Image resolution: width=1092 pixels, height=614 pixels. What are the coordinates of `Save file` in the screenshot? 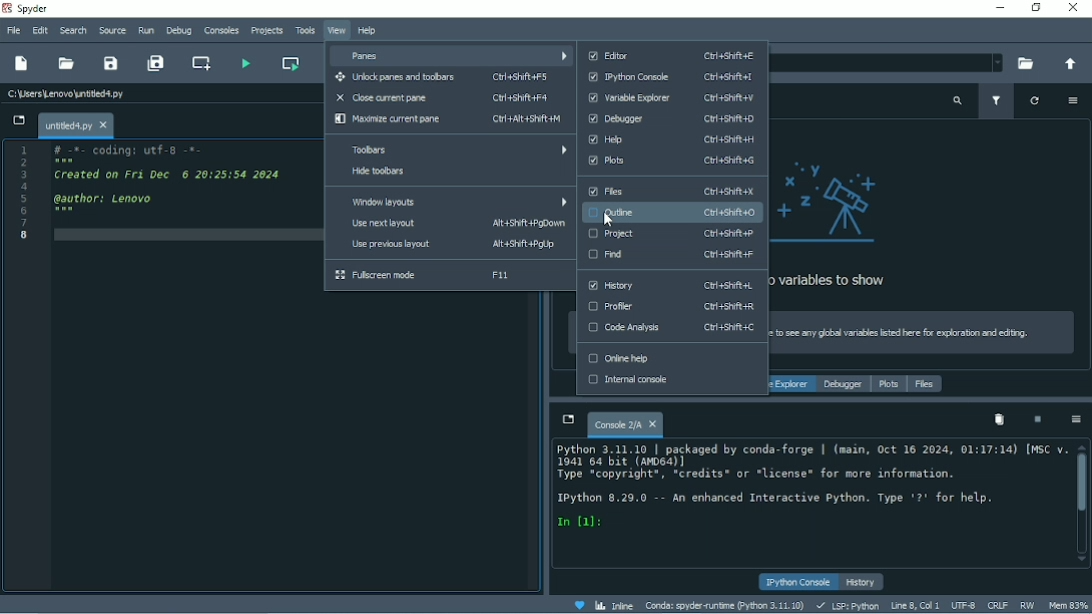 It's located at (112, 63).